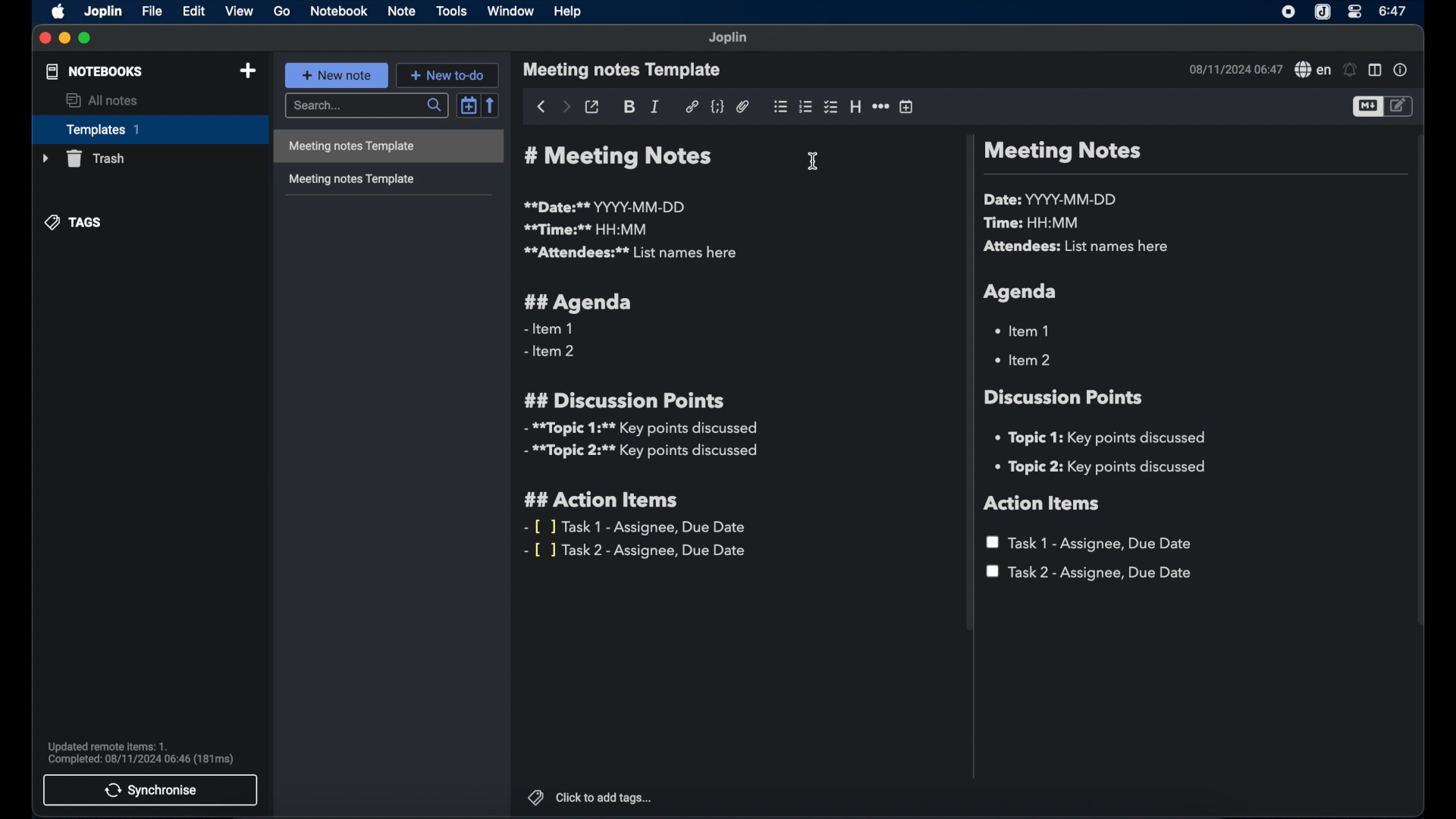 Image resolution: width=1456 pixels, height=819 pixels. I want to click on Joplin, so click(729, 38).